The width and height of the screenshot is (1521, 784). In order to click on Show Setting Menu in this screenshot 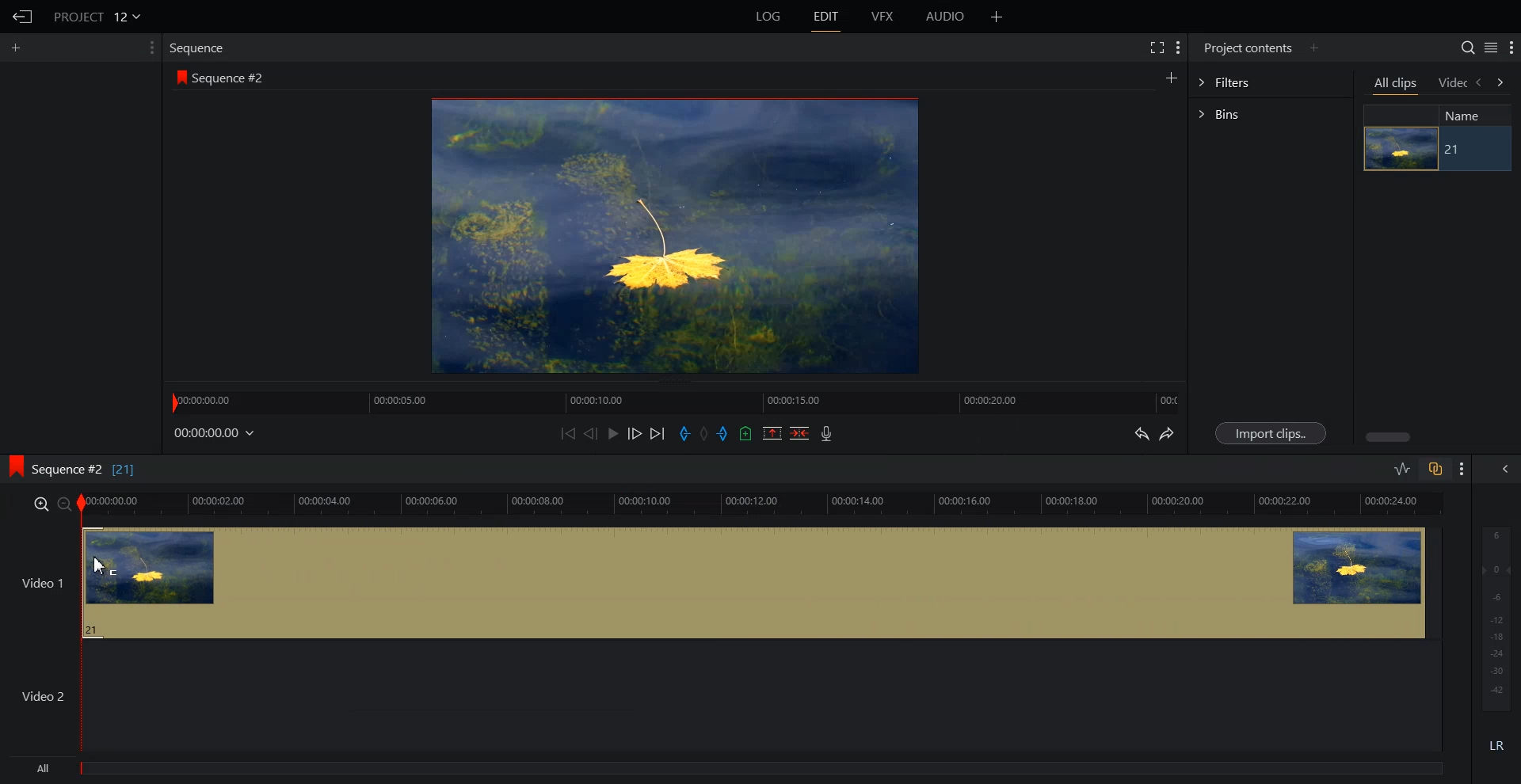, I will do `click(1462, 470)`.